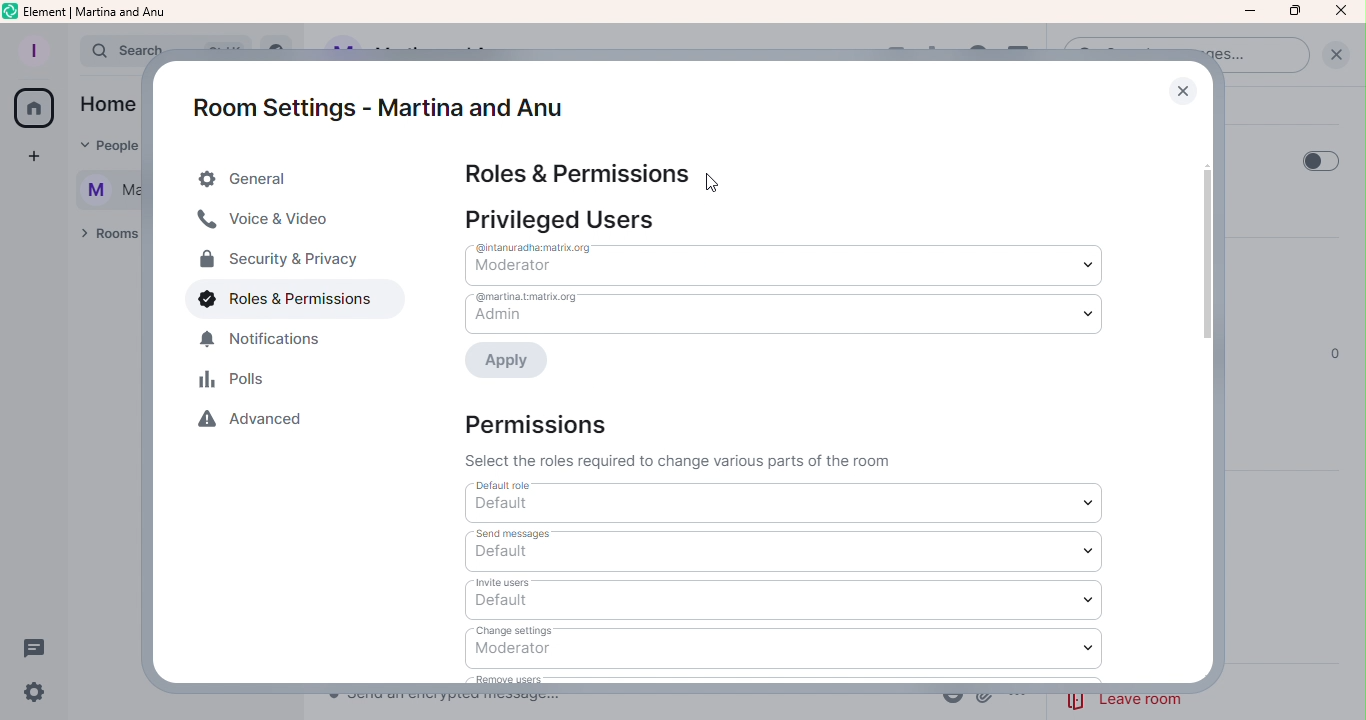 The width and height of the screenshot is (1366, 720). I want to click on People, so click(108, 147).